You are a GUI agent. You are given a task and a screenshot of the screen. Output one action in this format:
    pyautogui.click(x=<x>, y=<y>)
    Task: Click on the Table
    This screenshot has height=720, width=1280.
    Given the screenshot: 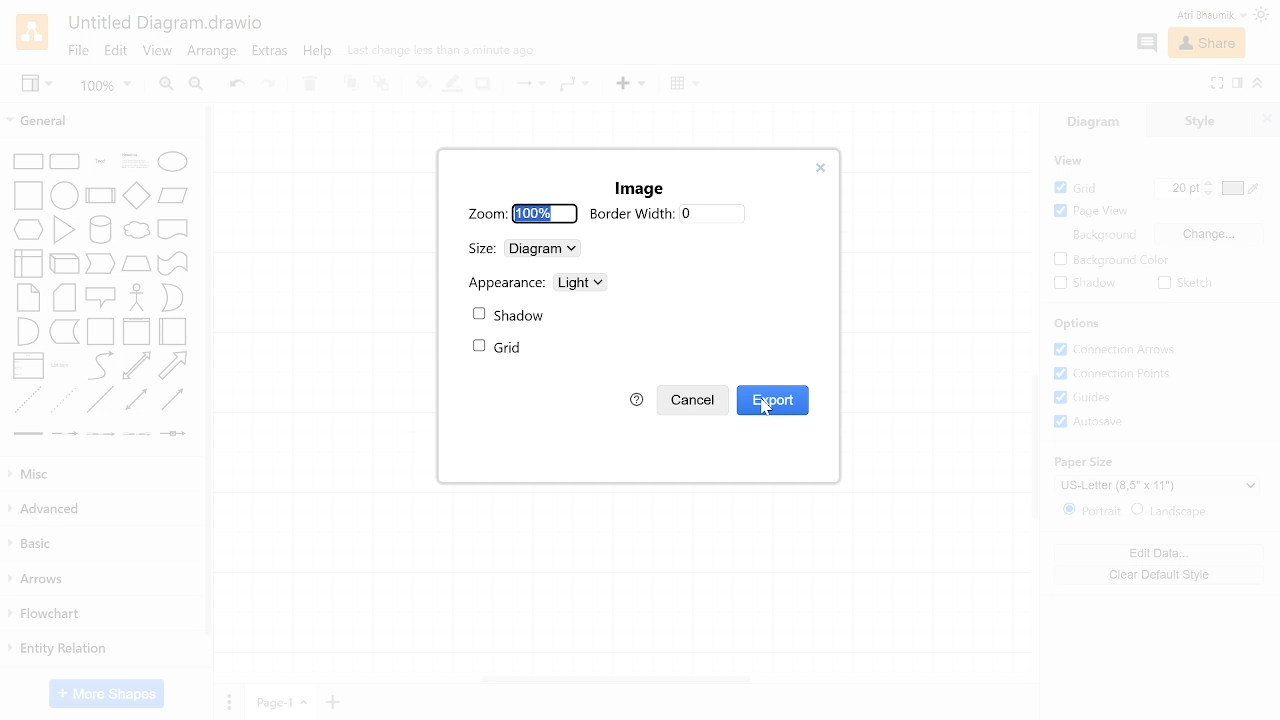 What is the action you would take?
    pyautogui.click(x=686, y=85)
    